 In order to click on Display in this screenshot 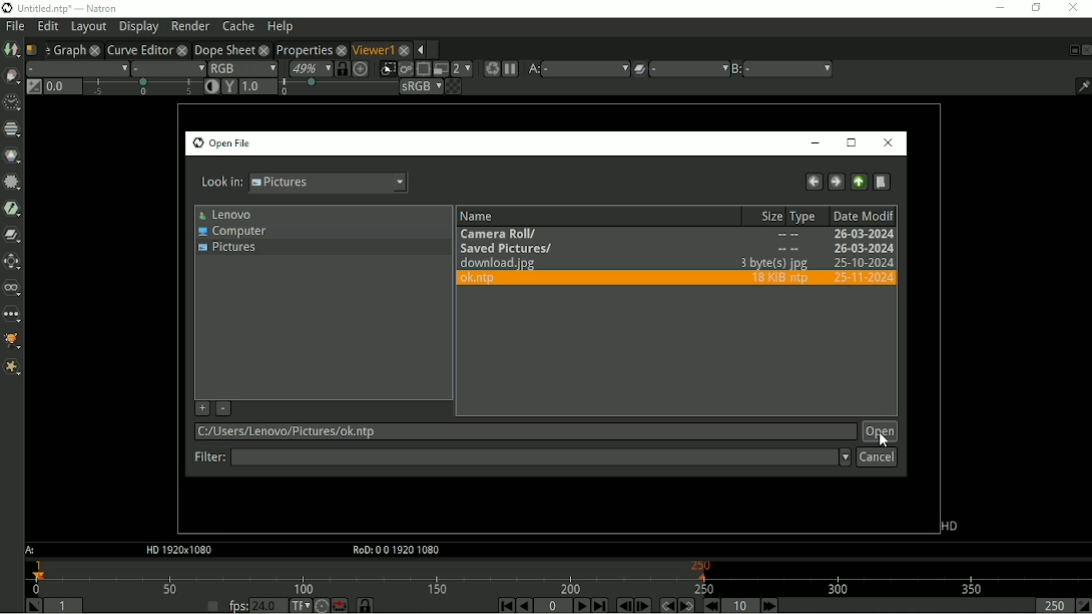, I will do `click(139, 27)`.